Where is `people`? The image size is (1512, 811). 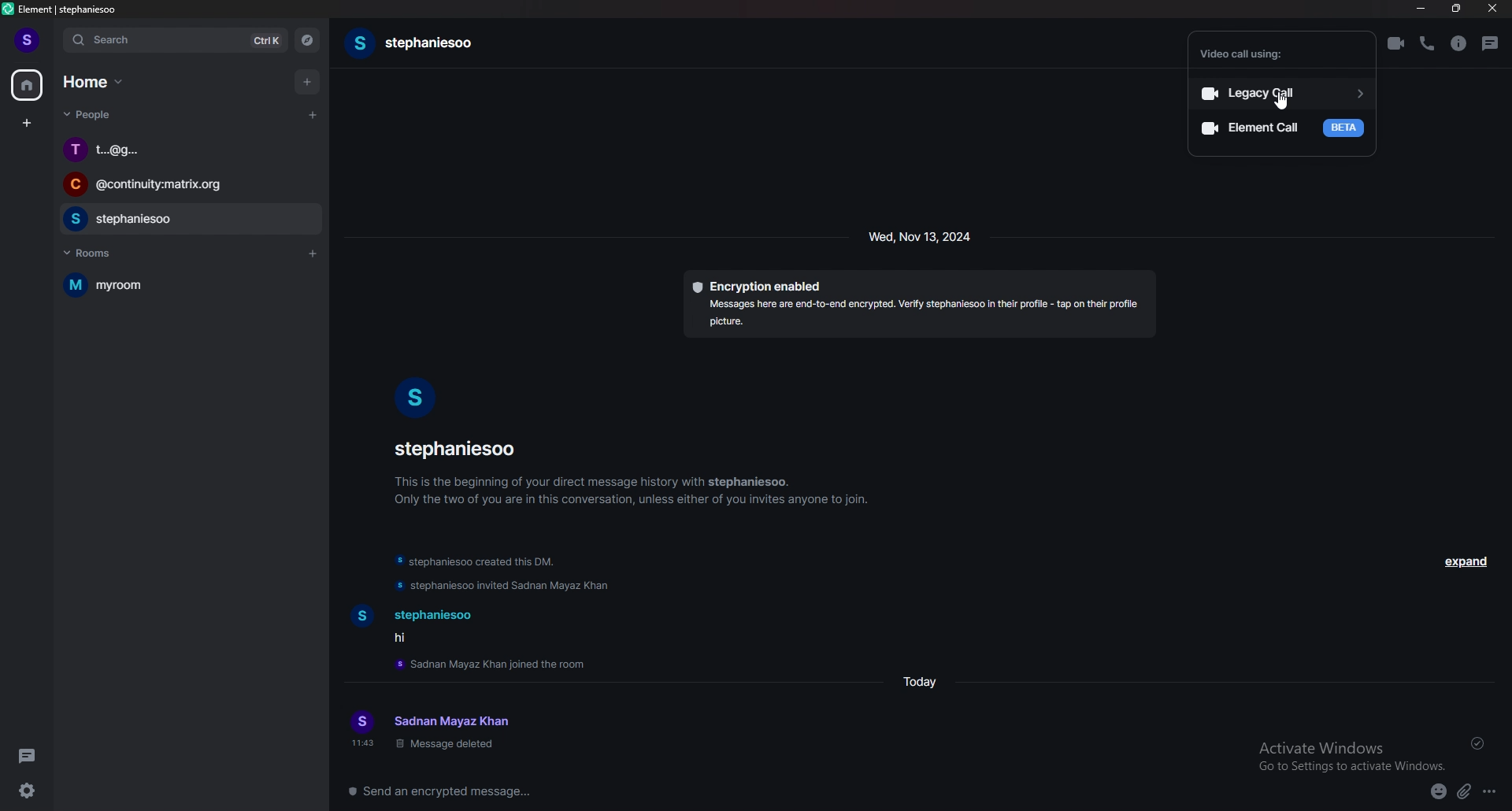
people is located at coordinates (91, 115).